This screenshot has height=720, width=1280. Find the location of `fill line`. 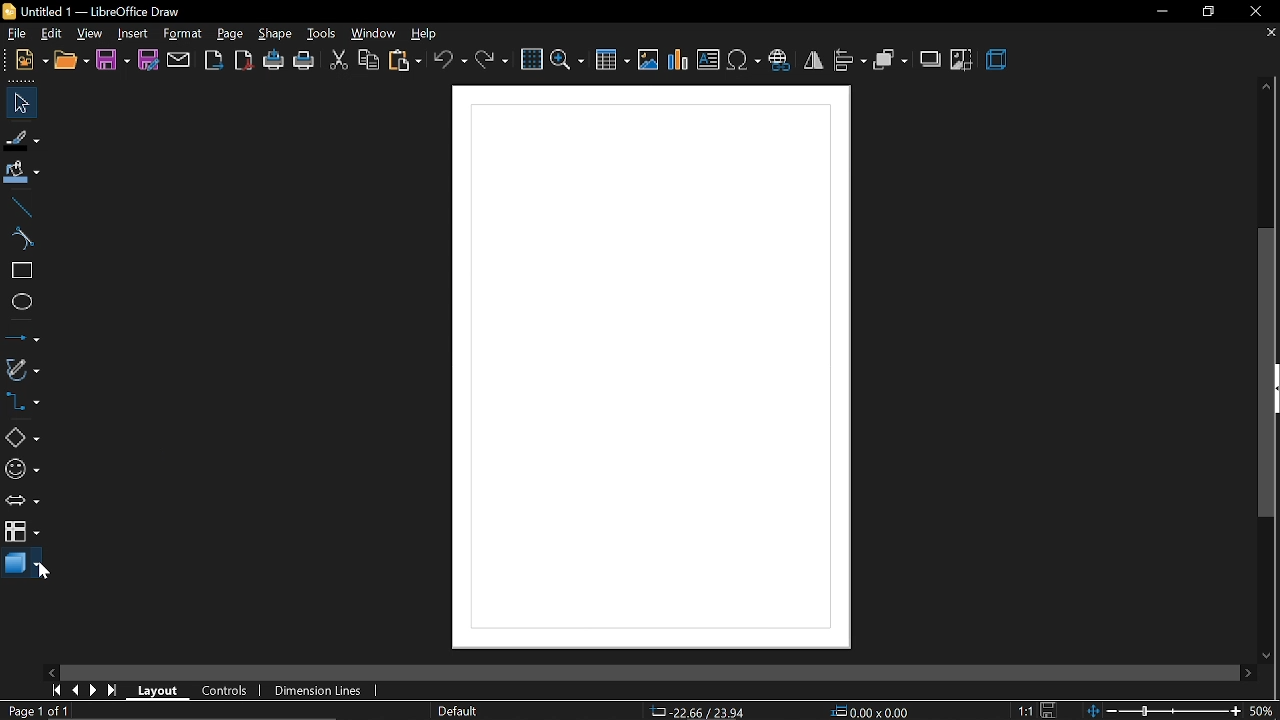

fill line is located at coordinates (22, 141).